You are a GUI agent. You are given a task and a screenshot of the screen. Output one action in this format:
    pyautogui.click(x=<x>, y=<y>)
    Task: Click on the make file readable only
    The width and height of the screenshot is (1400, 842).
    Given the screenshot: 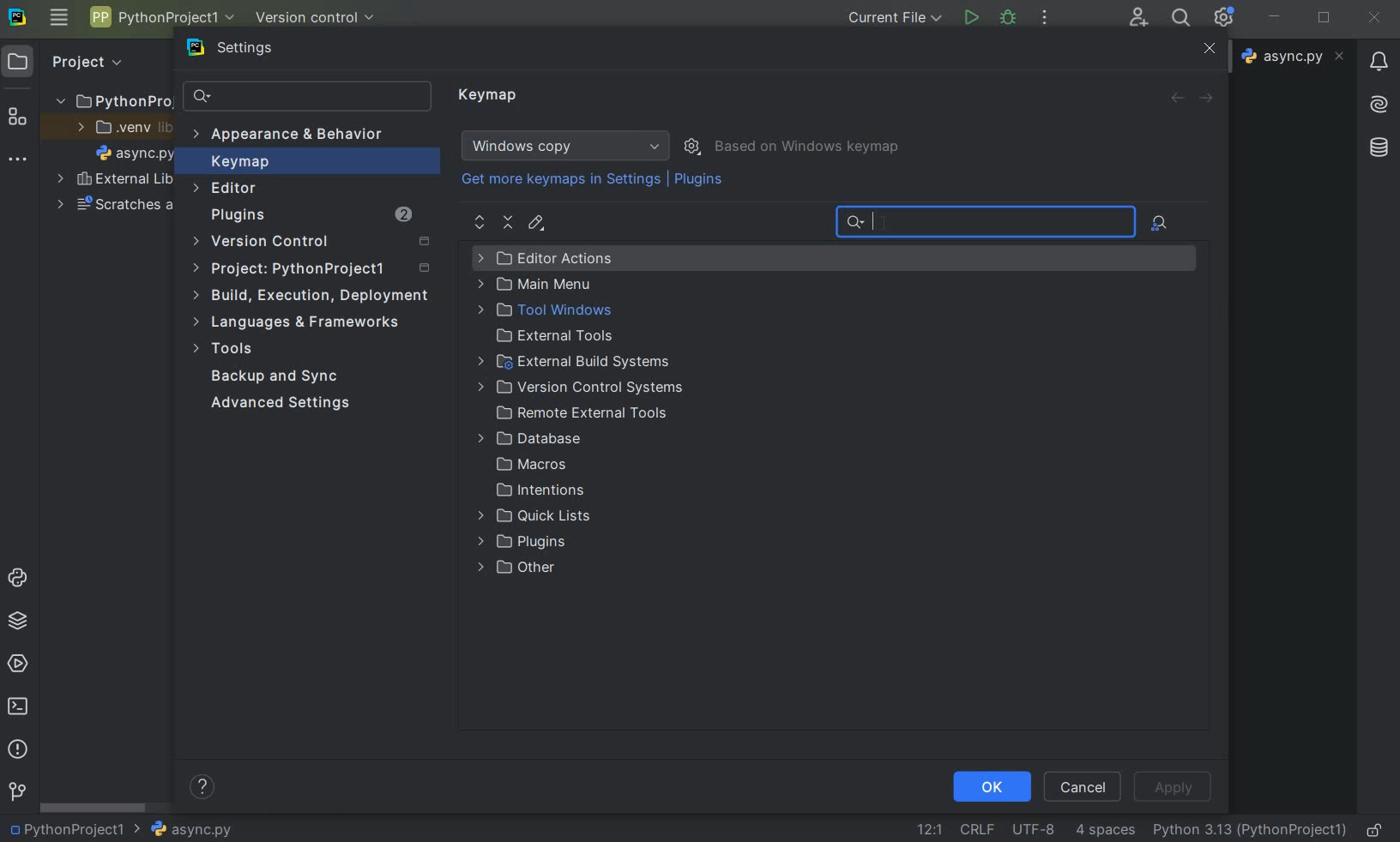 What is the action you would take?
    pyautogui.click(x=1376, y=828)
    